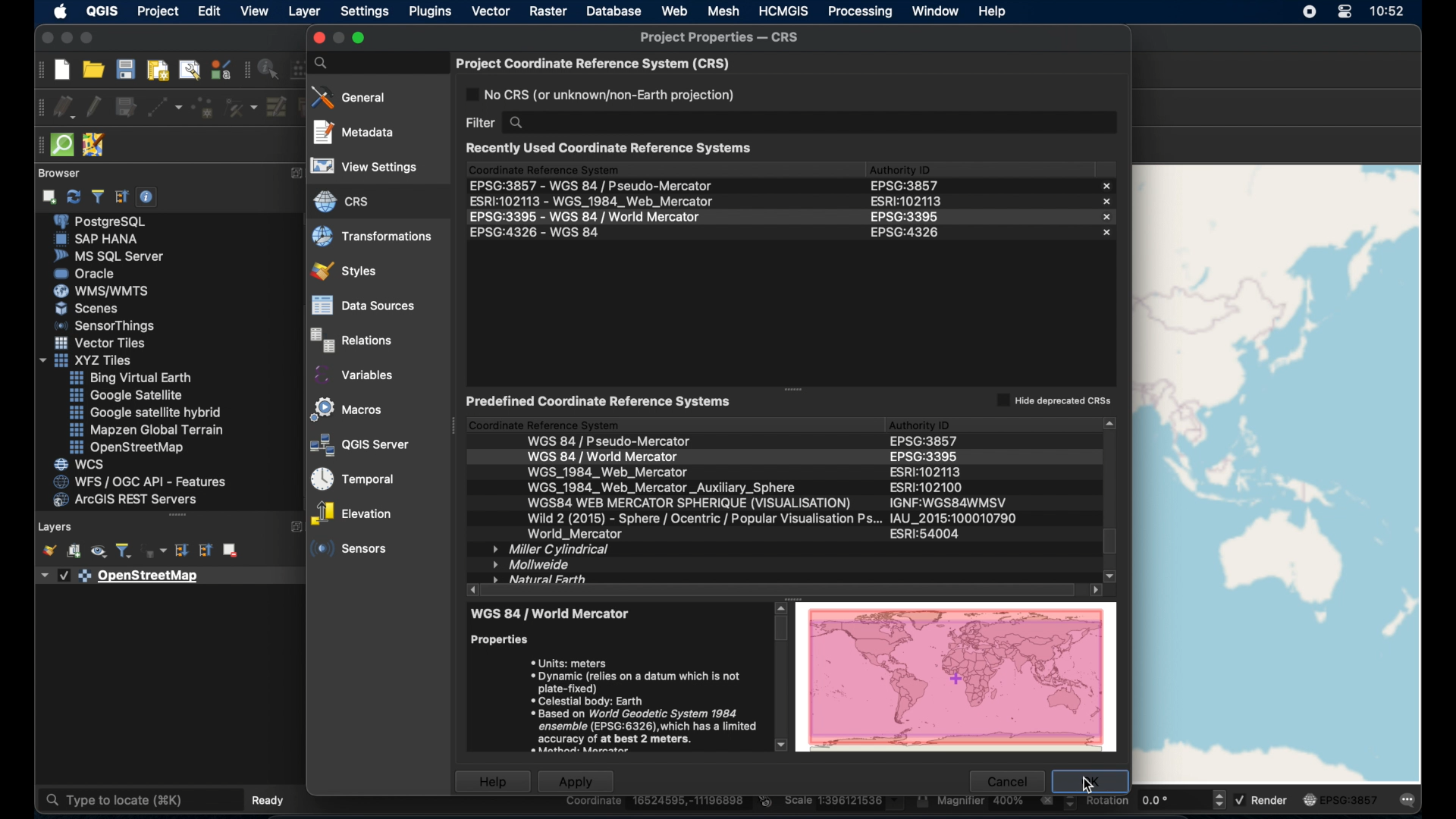 The image size is (1456, 819). Describe the element at coordinates (362, 303) in the screenshot. I see `data sources` at that location.